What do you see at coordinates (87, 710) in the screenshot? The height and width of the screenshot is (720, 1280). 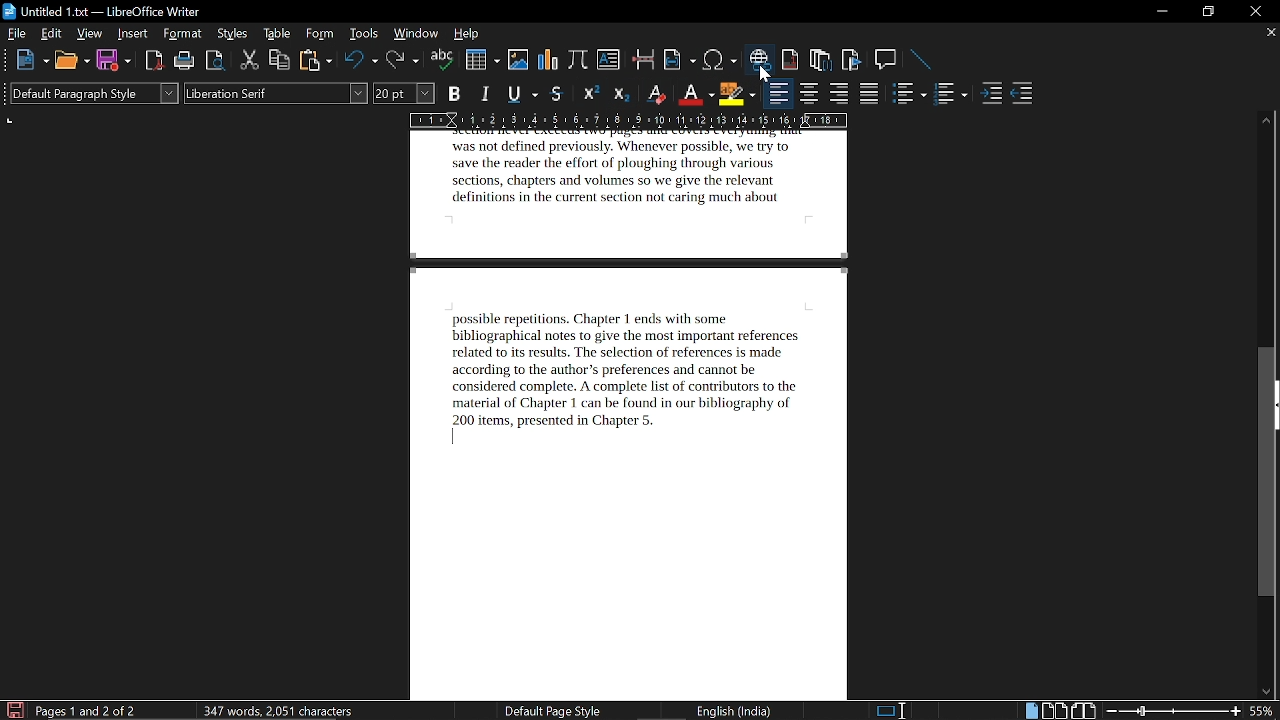 I see `current page` at bounding box center [87, 710].